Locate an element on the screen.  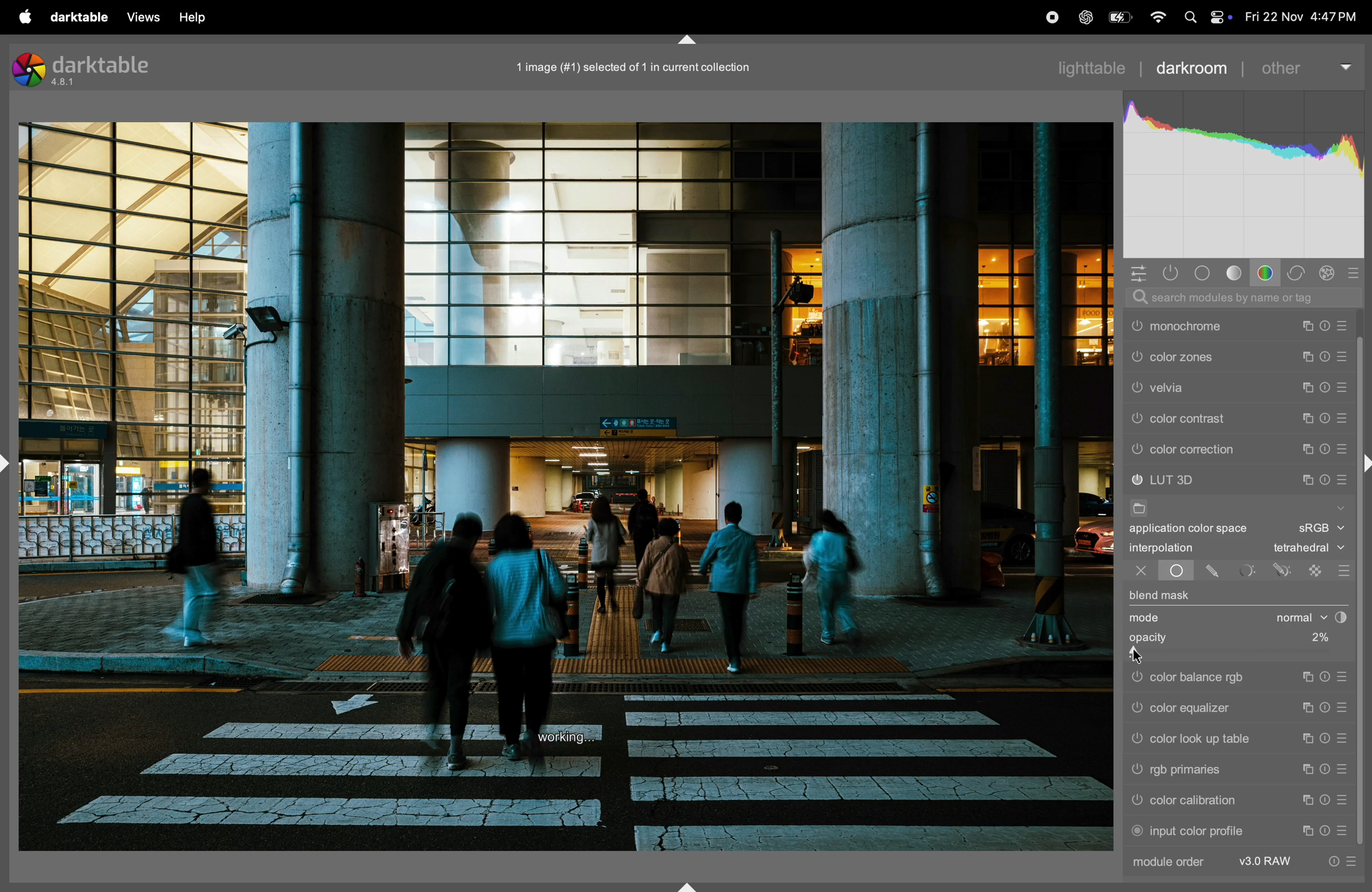
effect is located at coordinates (1329, 273).